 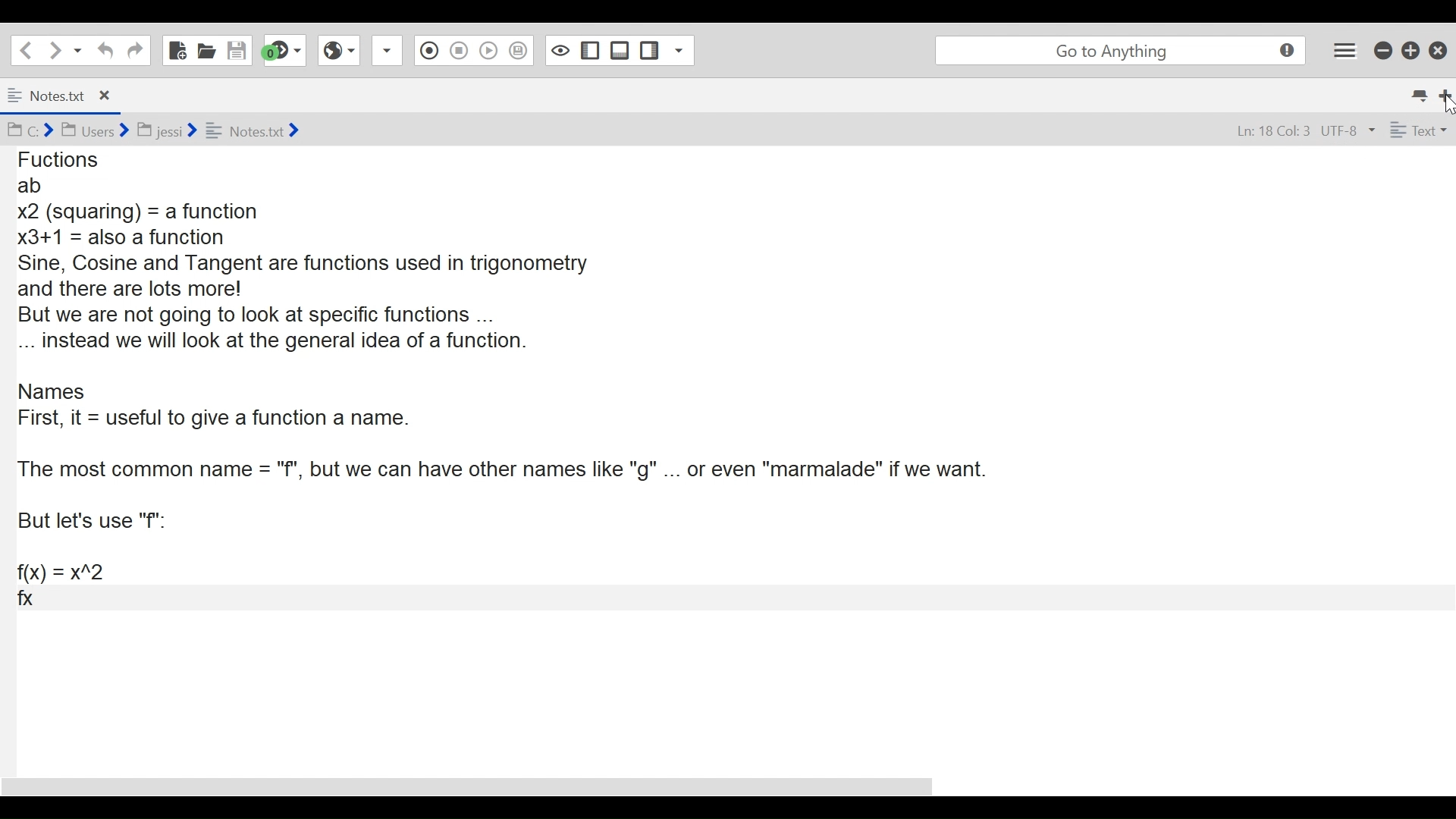 What do you see at coordinates (237, 49) in the screenshot?
I see `Save` at bounding box center [237, 49].